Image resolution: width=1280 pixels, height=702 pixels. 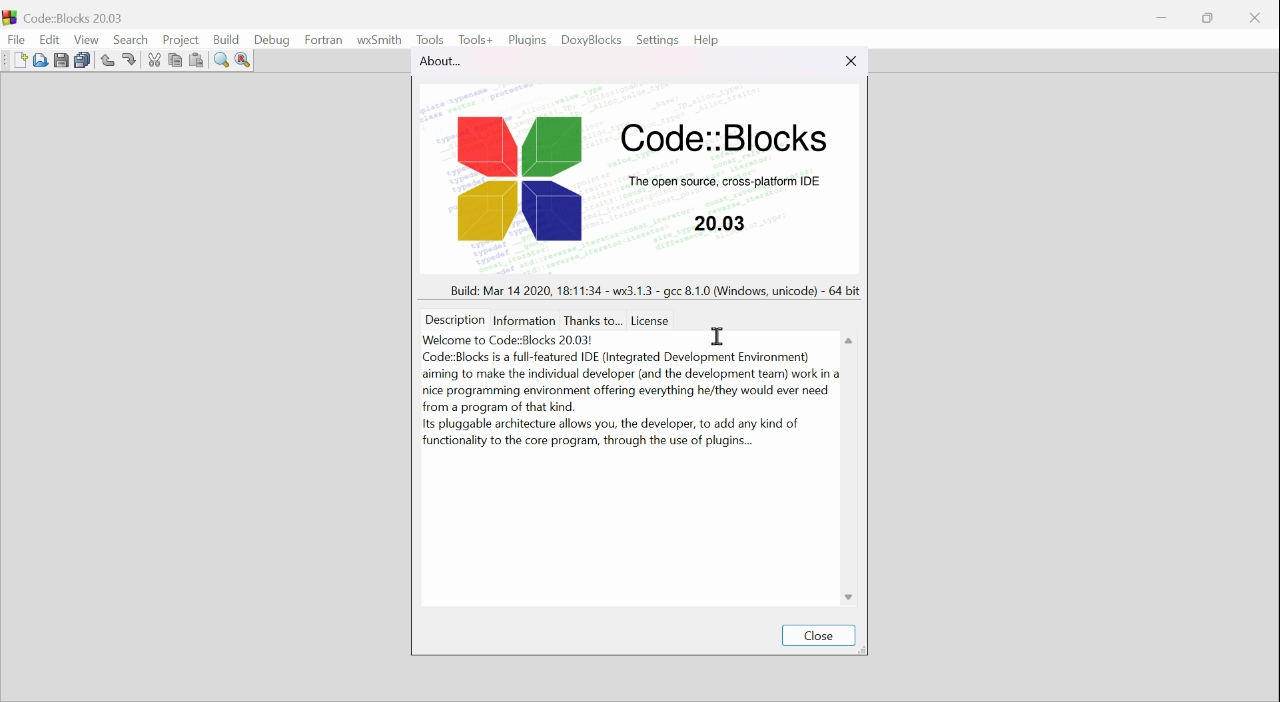 I want to click on About, so click(x=455, y=61).